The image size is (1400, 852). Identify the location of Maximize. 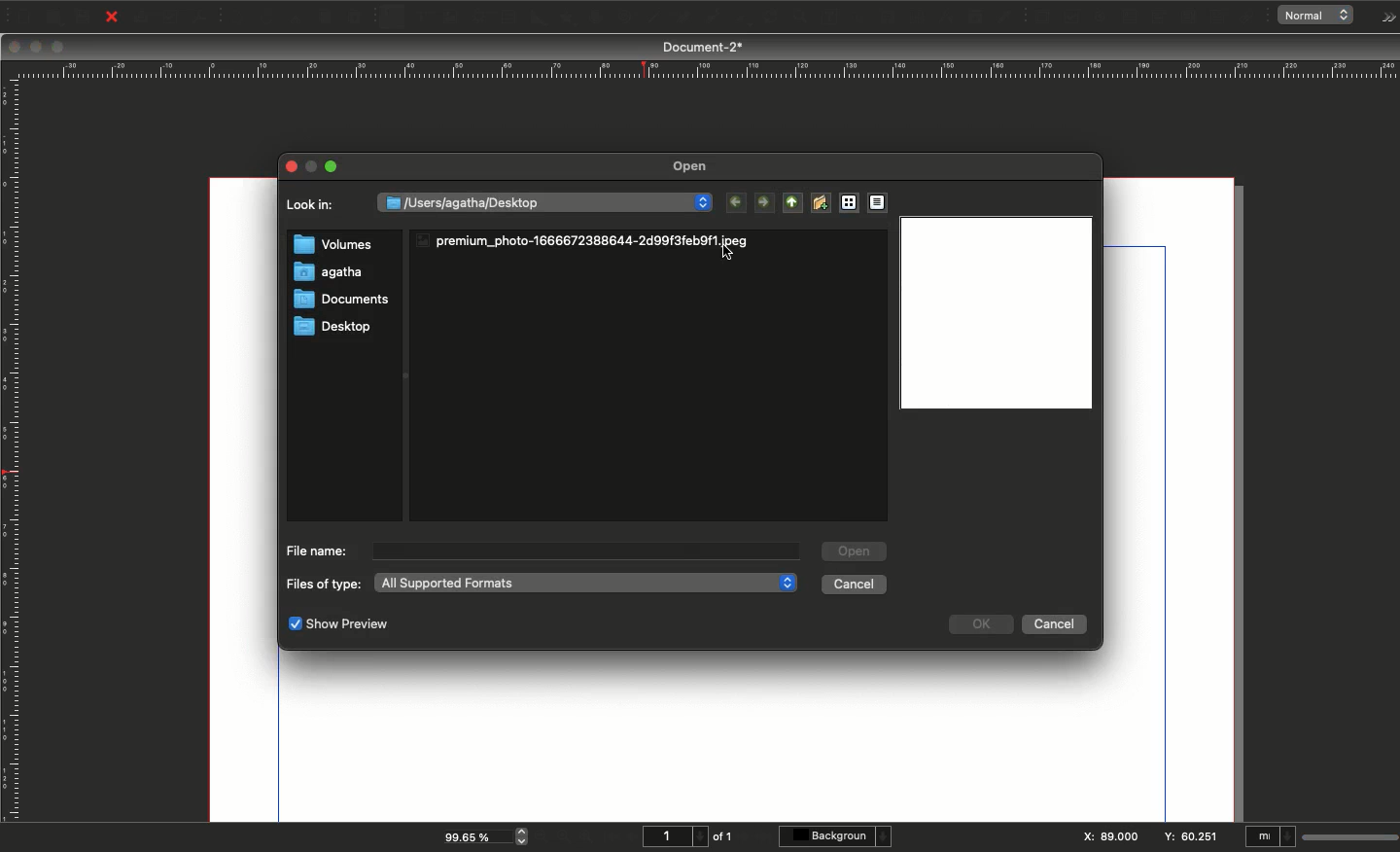
(59, 49).